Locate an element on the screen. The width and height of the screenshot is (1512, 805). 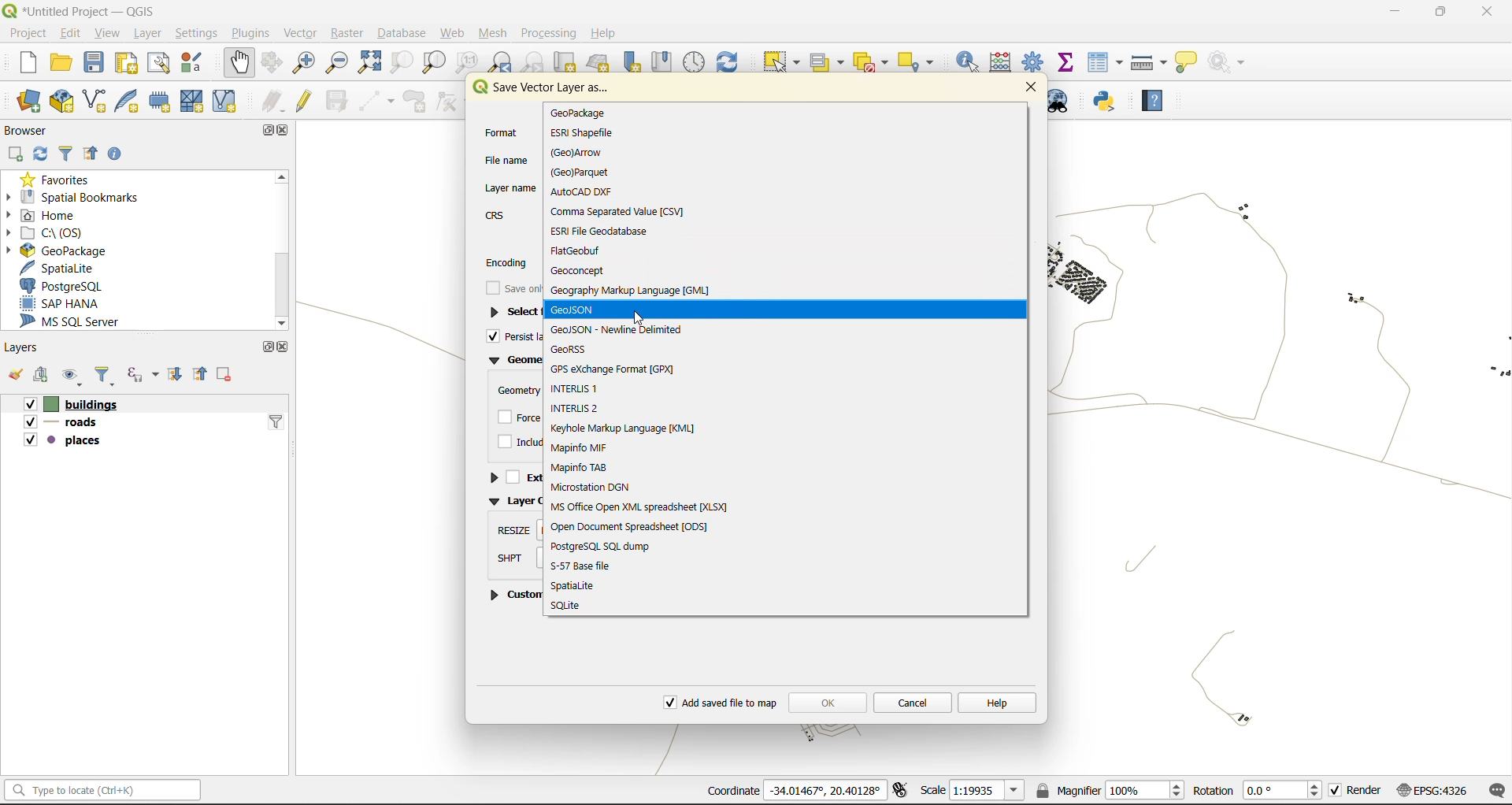
spatialite is located at coordinates (581, 586).